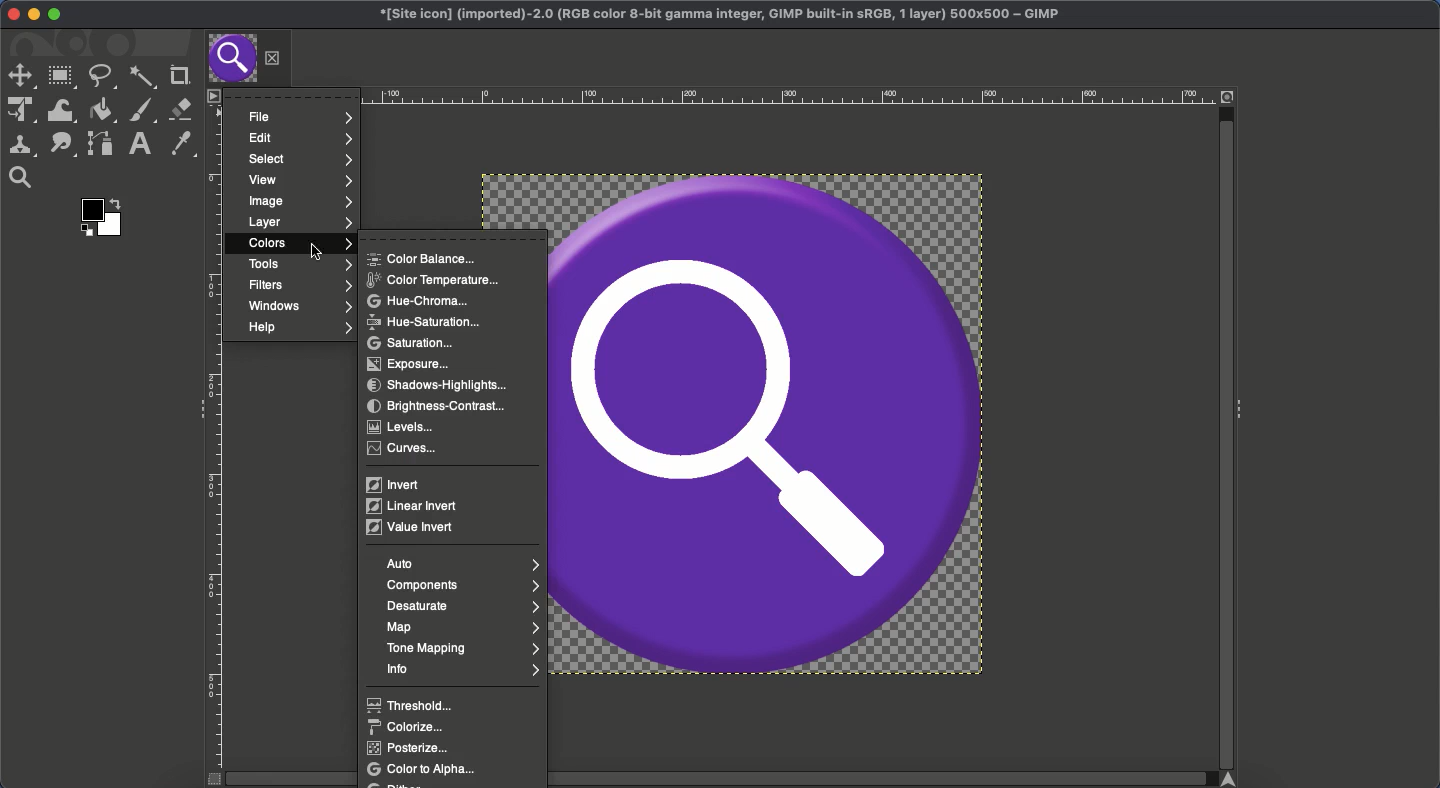 This screenshot has height=788, width=1440. What do you see at coordinates (58, 15) in the screenshot?
I see `Maximize` at bounding box center [58, 15].